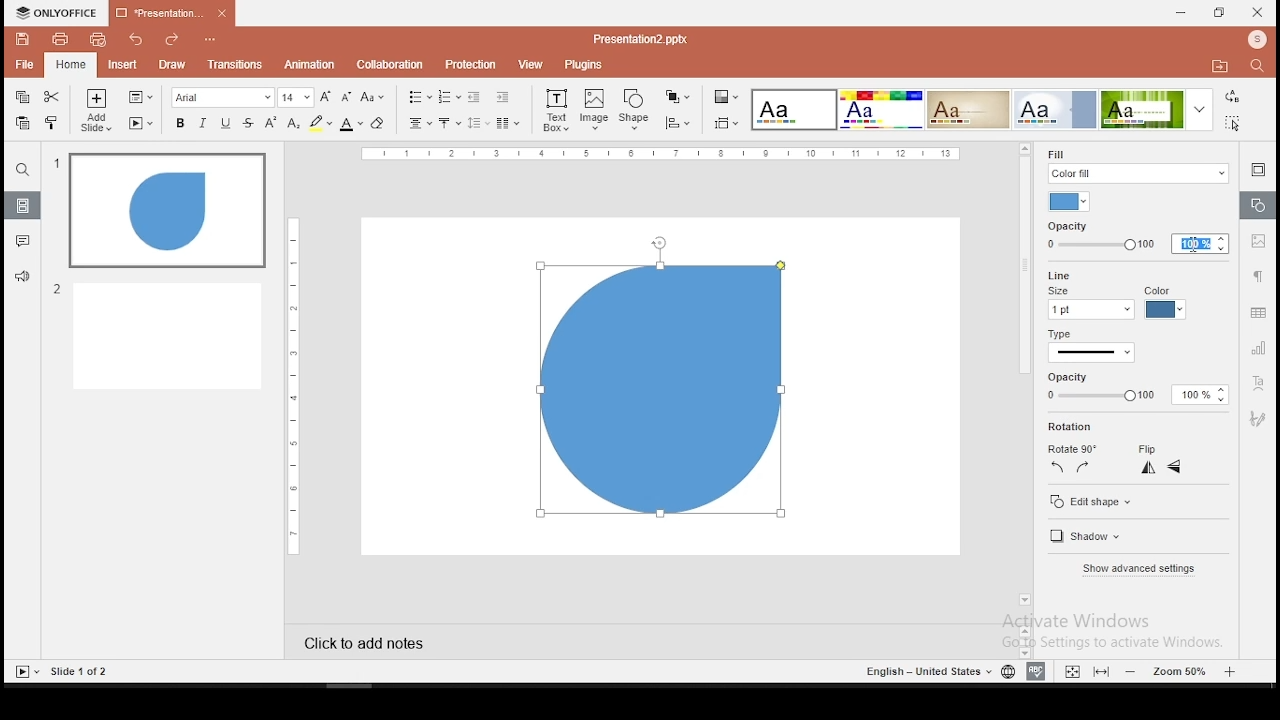  I want to click on increase indent, so click(502, 97).